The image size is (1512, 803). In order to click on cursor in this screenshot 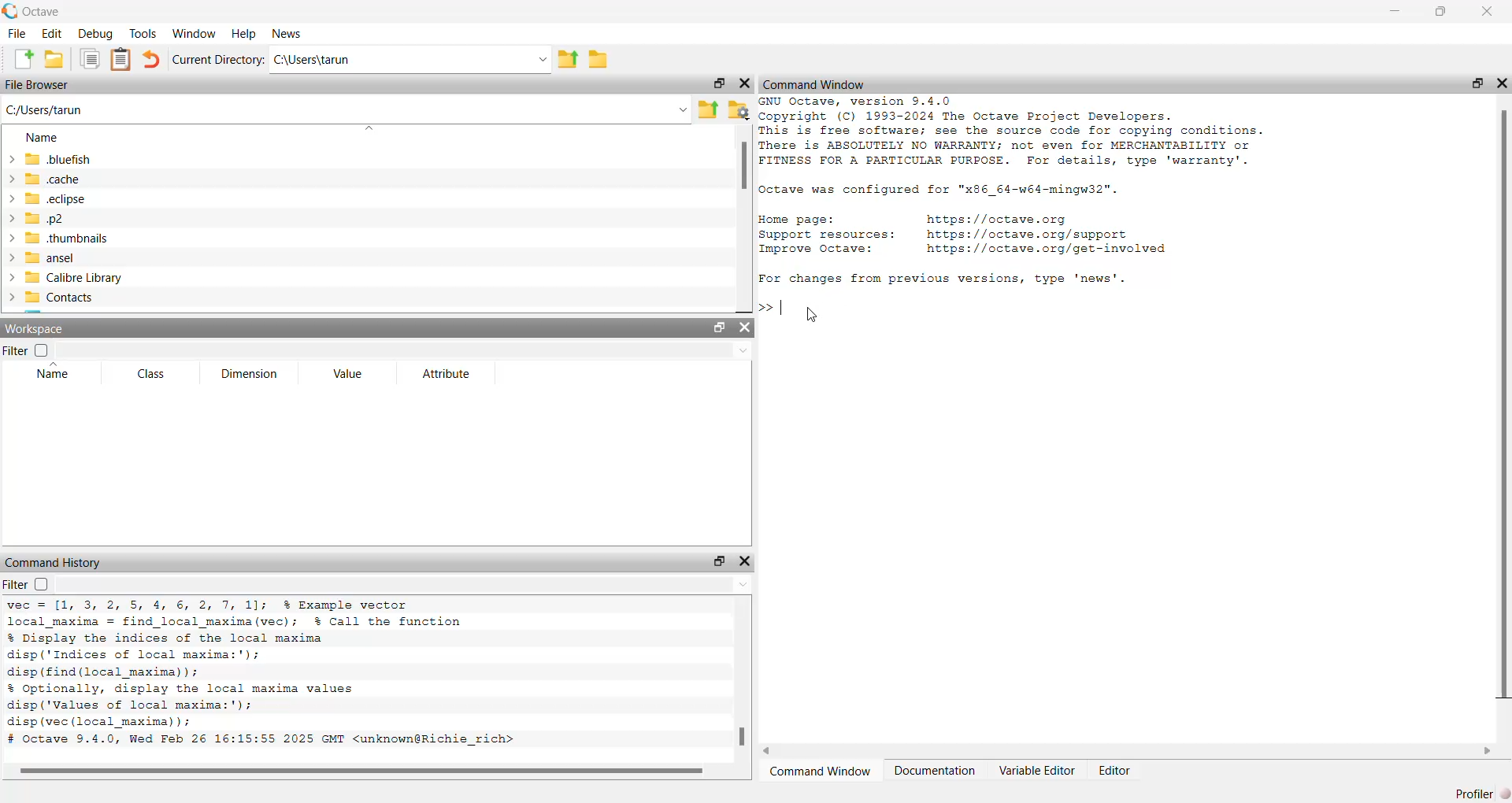, I will do `click(812, 316)`.